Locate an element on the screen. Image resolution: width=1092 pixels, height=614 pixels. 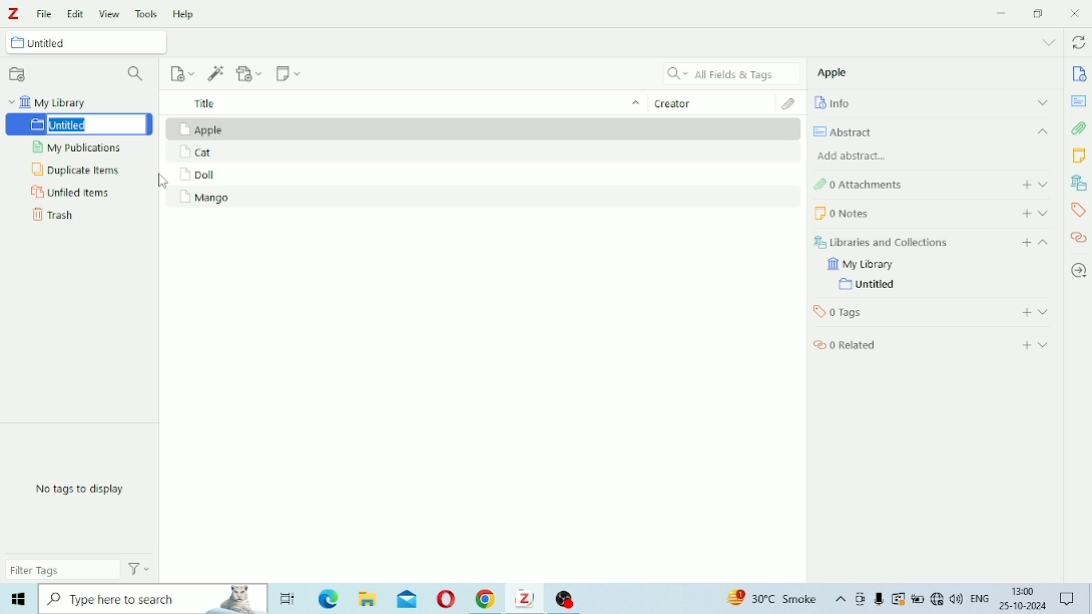
View is located at coordinates (109, 13).